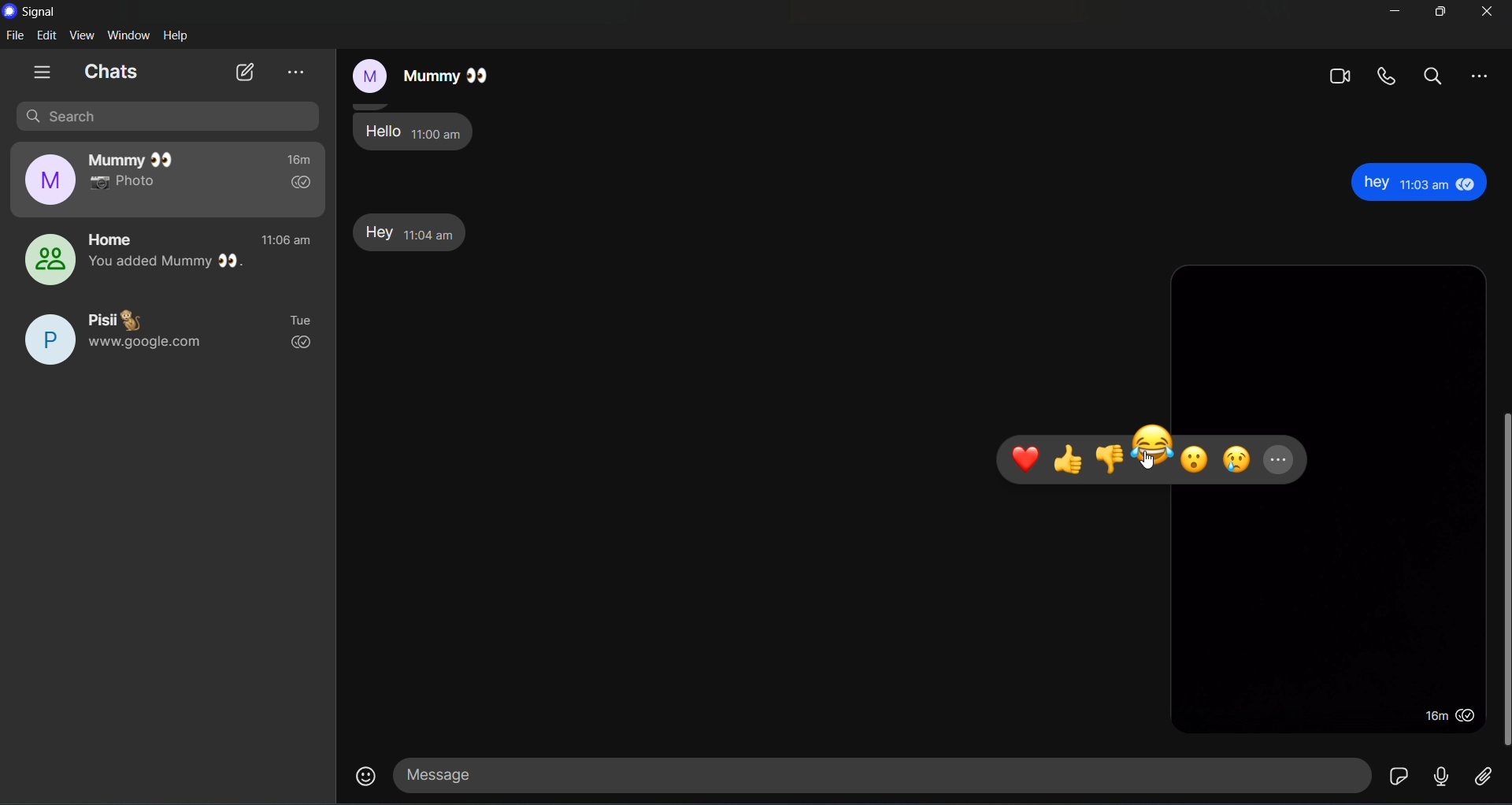  What do you see at coordinates (1480, 78) in the screenshot?
I see `more` at bounding box center [1480, 78].